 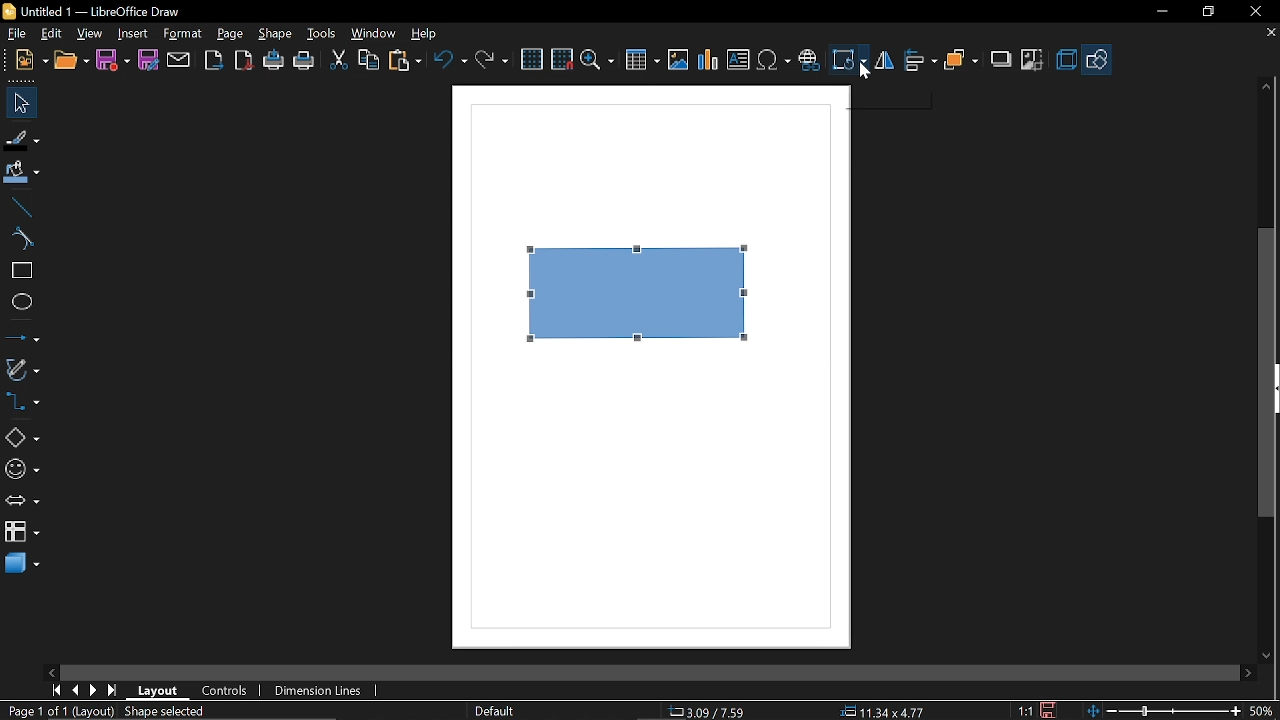 I want to click on Select, so click(x=20, y=104).